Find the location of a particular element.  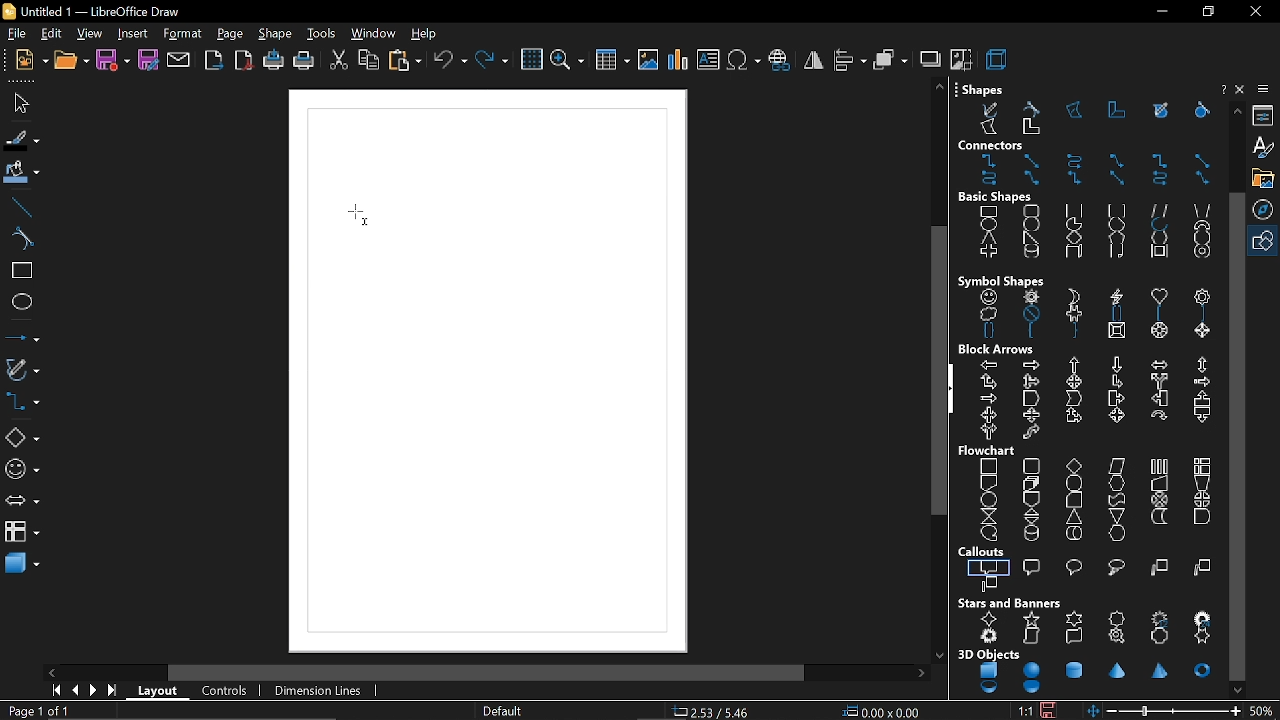

go to first page is located at coordinates (53, 692).